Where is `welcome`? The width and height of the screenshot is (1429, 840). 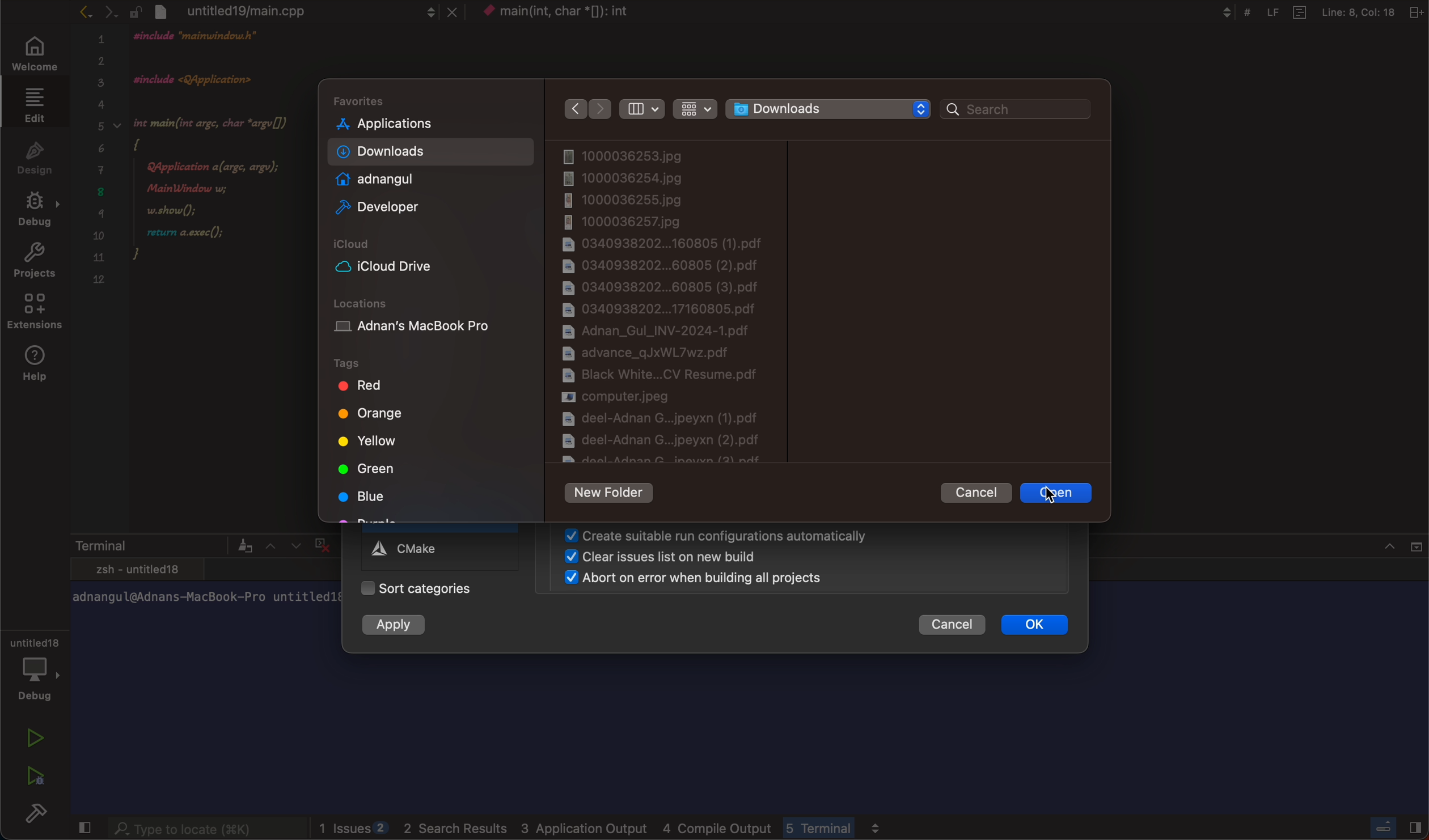 welcome is located at coordinates (35, 54).